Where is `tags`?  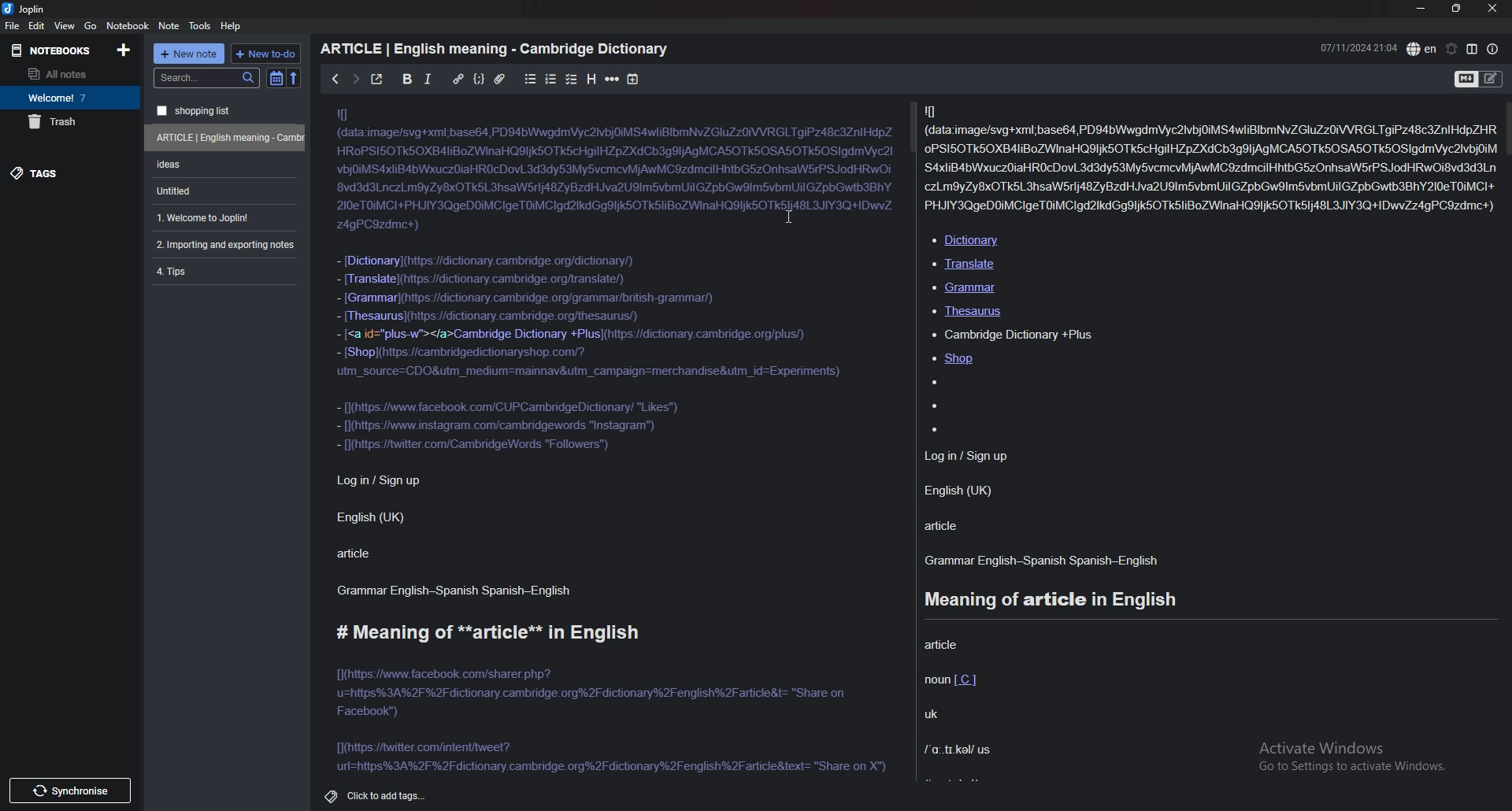
tags is located at coordinates (68, 174).